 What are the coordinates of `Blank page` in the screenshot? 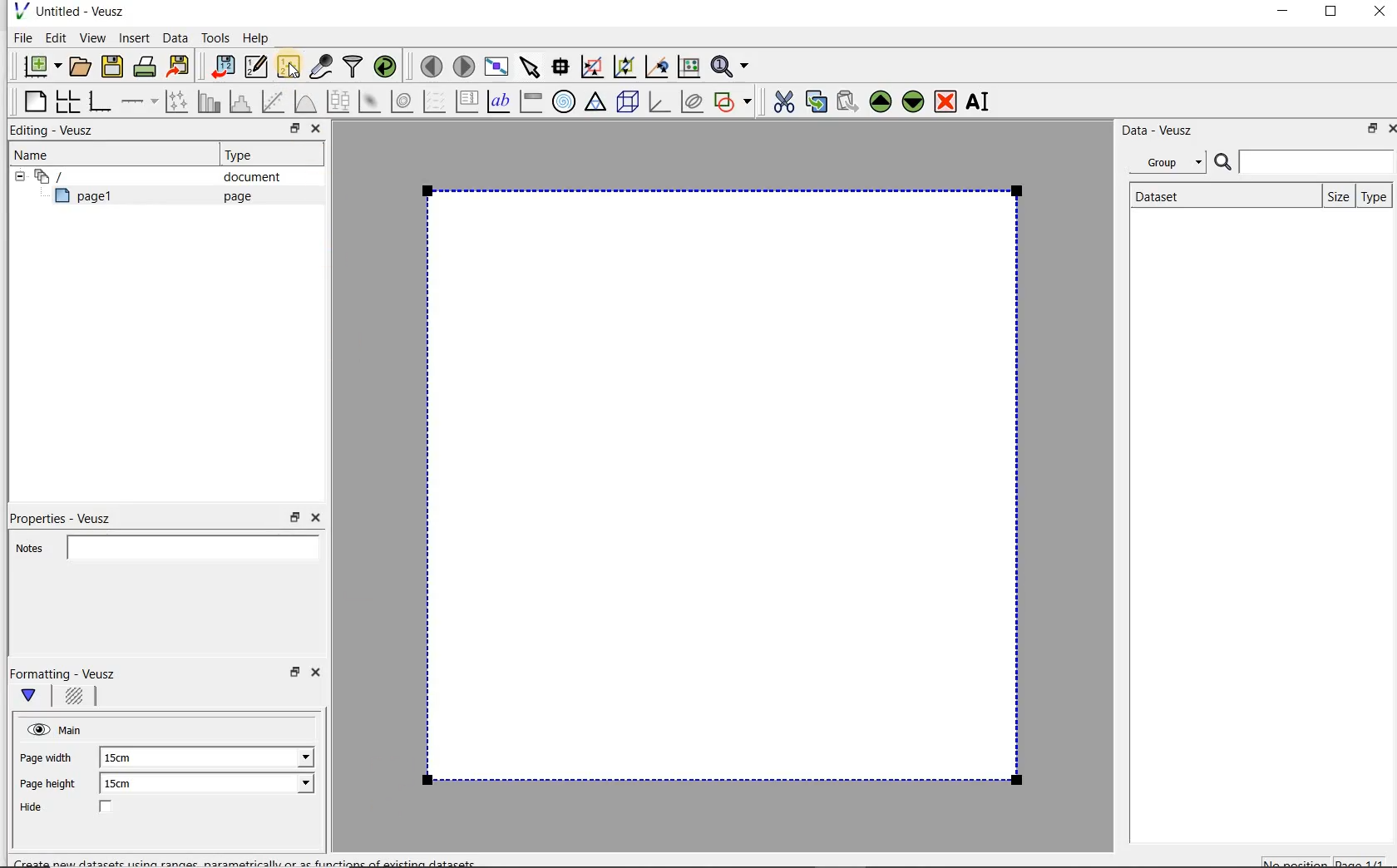 It's located at (722, 485).